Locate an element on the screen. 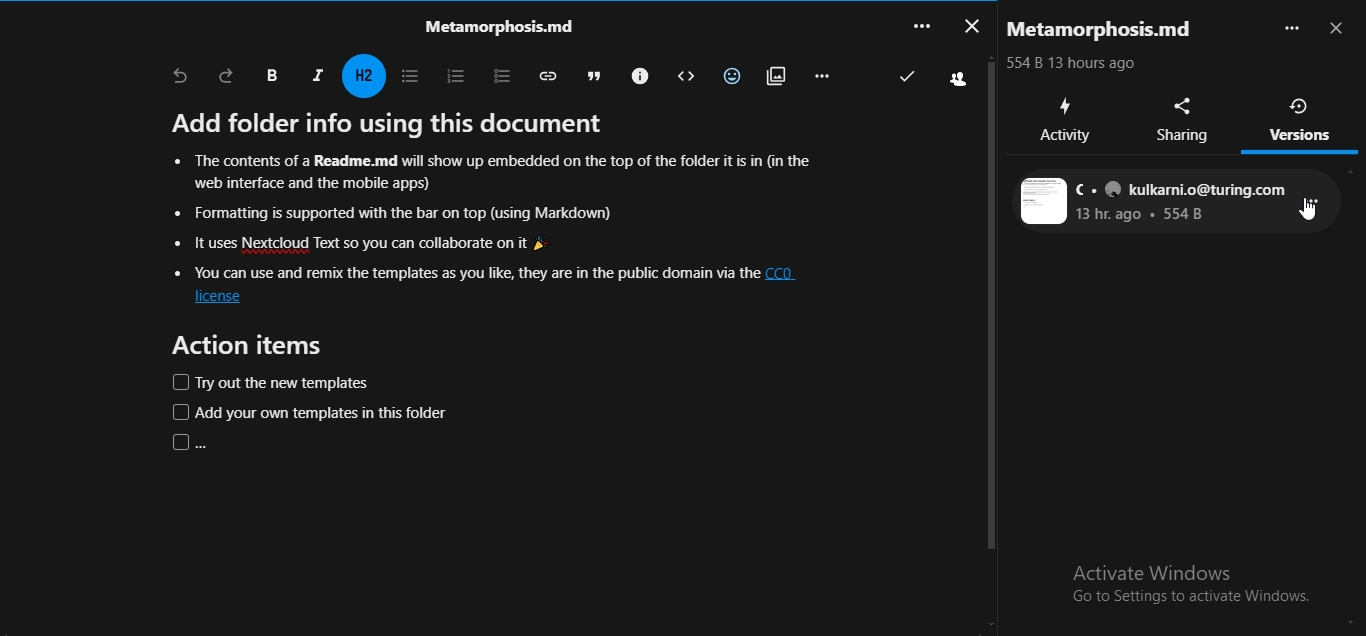 The width and height of the screenshot is (1366, 636). undo is located at coordinates (180, 77).